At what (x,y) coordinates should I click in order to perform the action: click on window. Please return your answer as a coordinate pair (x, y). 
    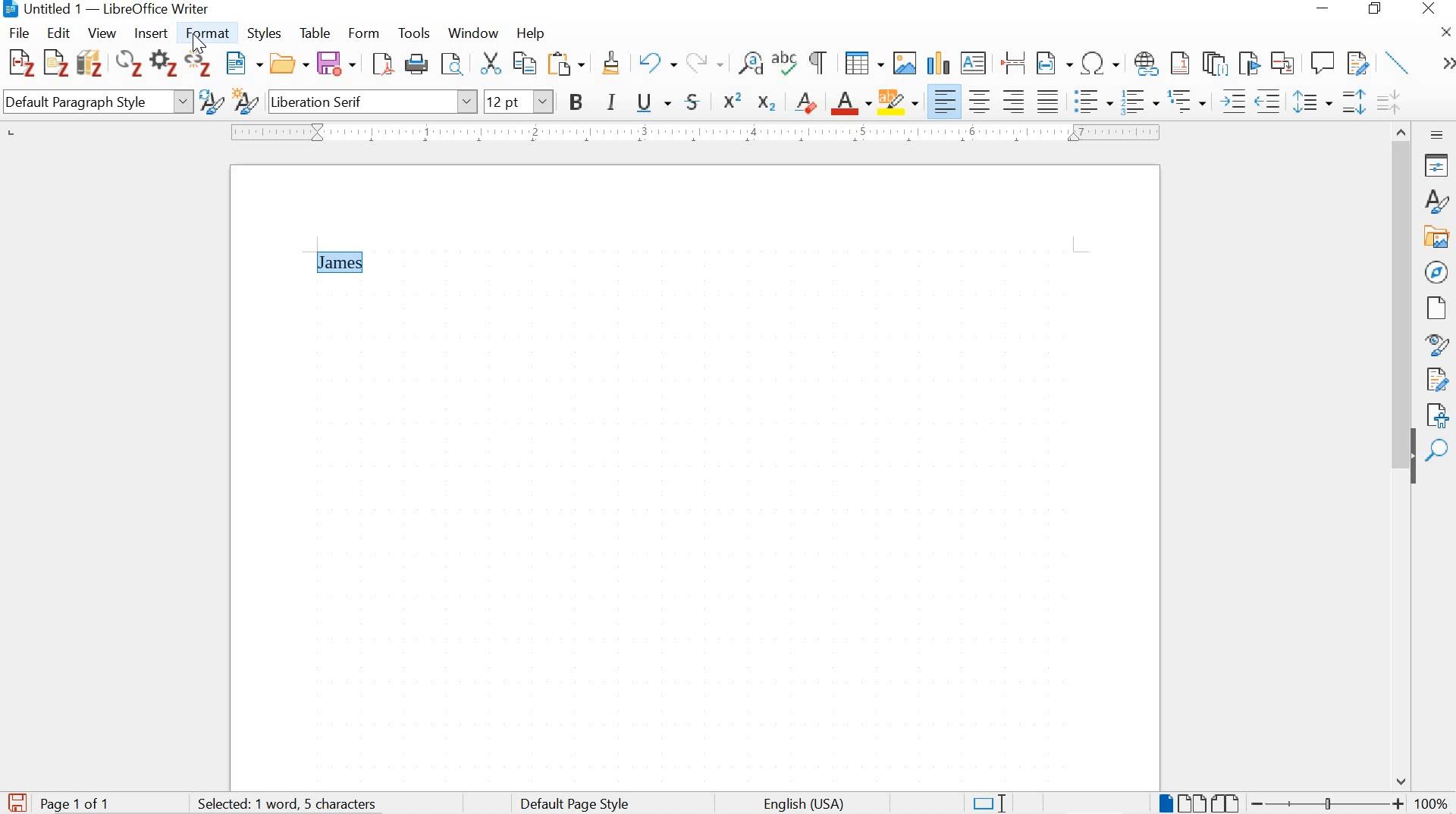
    Looking at the image, I should click on (472, 35).